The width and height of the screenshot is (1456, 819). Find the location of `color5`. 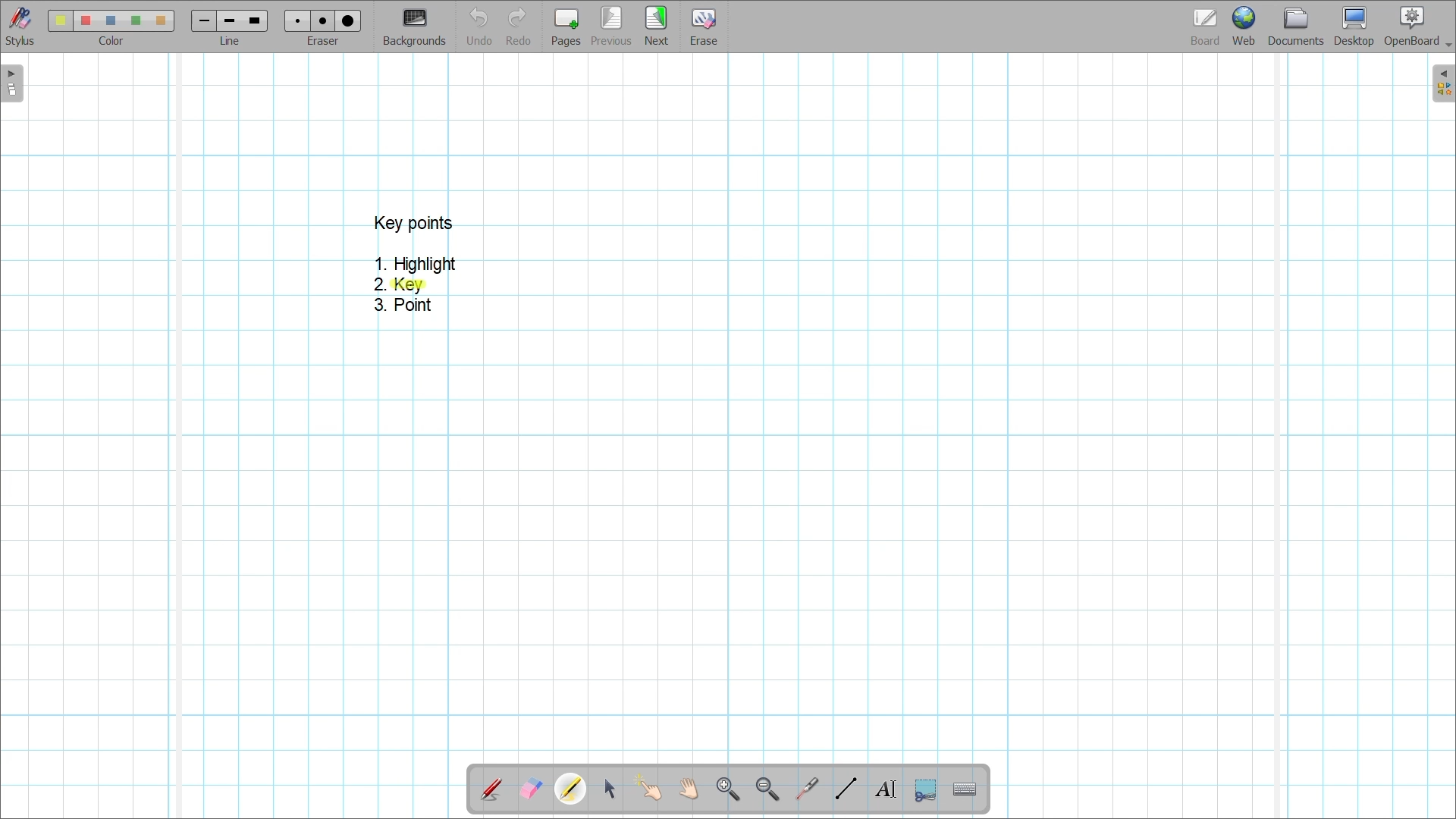

color5 is located at coordinates (159, 21).